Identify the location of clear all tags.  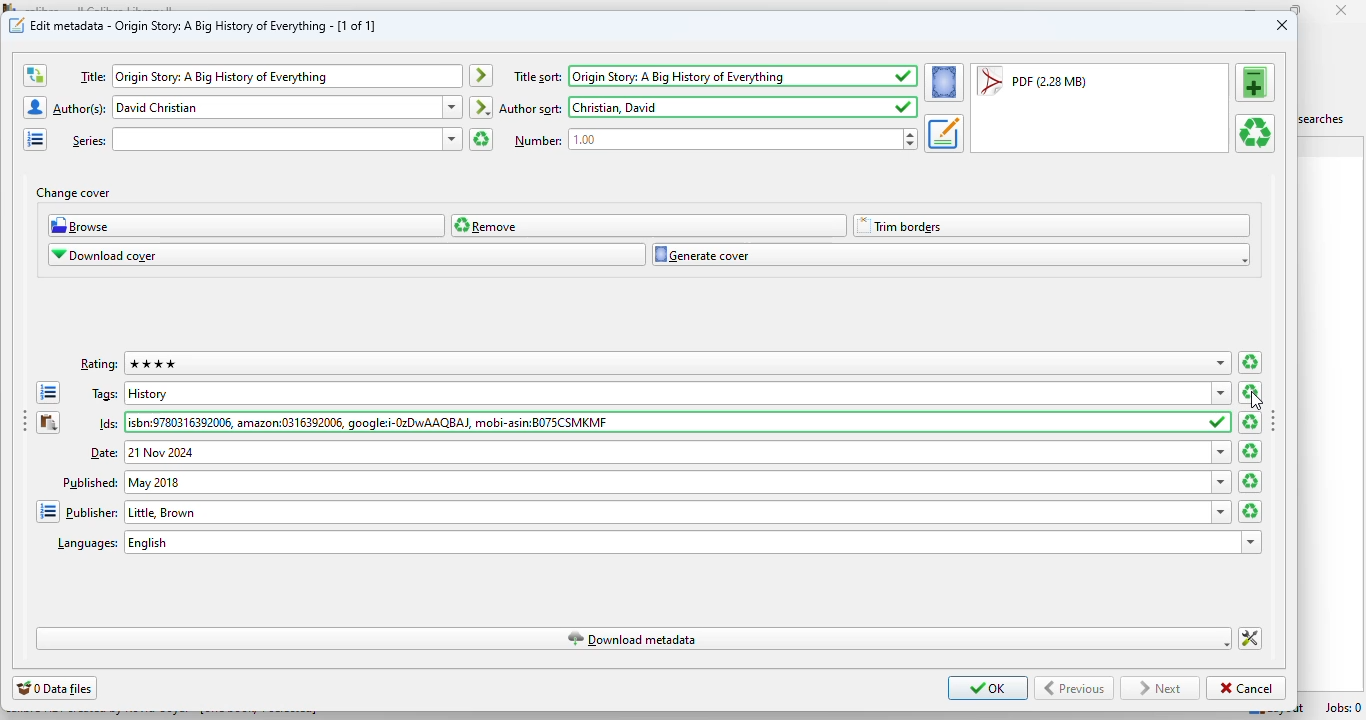
(1252, 391).